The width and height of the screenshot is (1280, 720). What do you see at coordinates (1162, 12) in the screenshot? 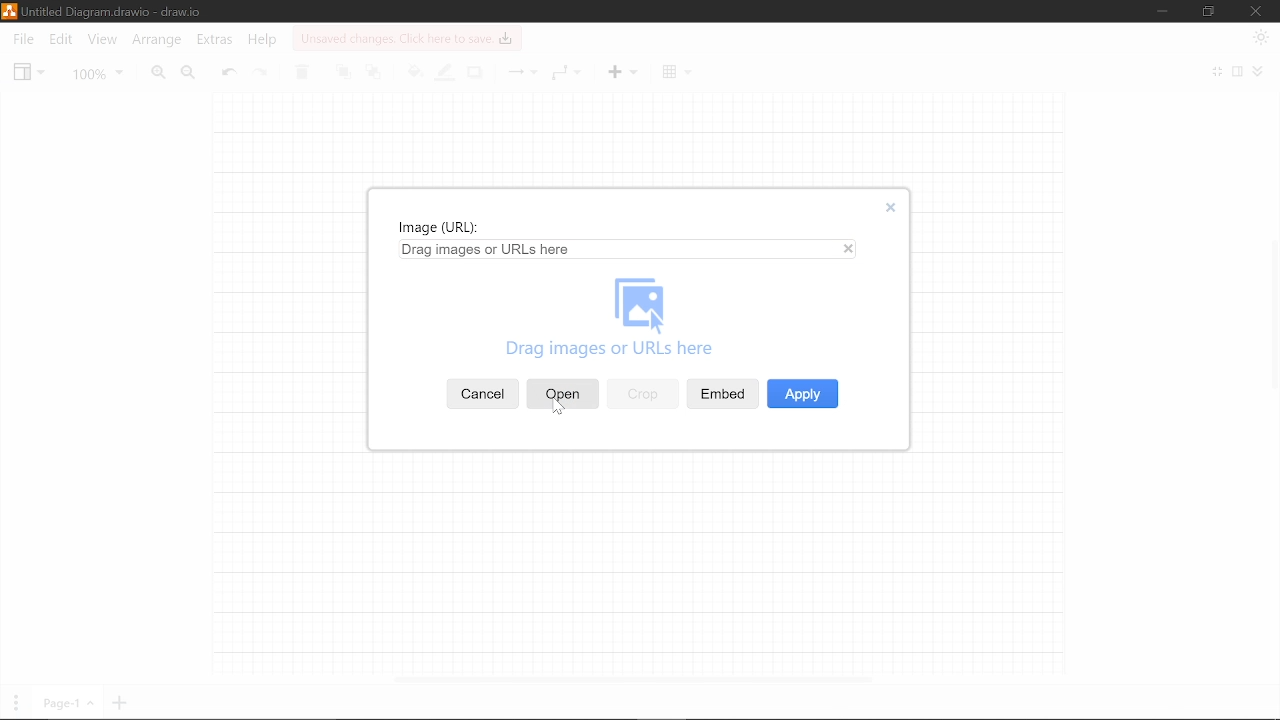
I see `Minimize` at bounding box center [1162, 12].